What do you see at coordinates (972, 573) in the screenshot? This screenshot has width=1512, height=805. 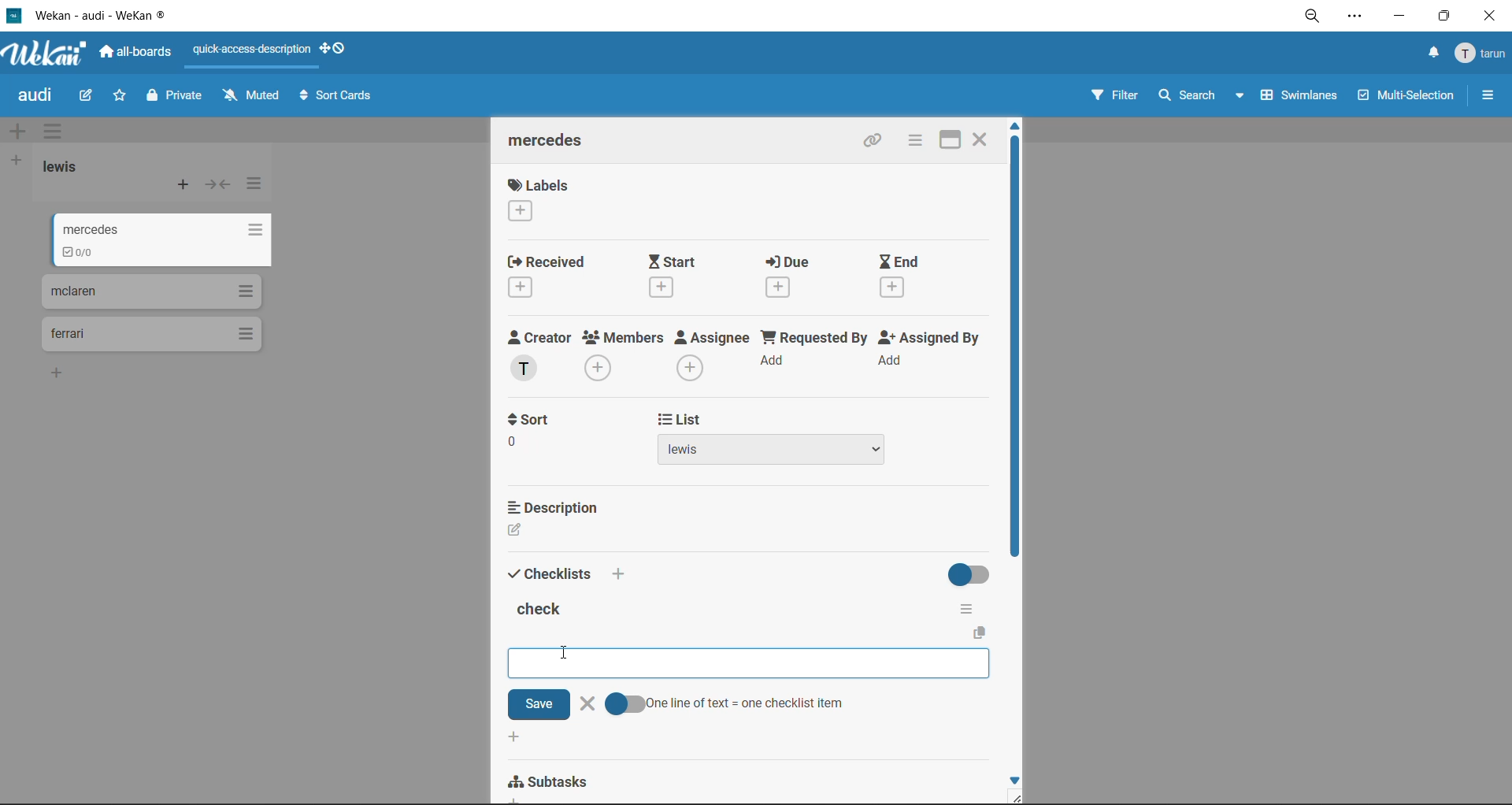 I see `hide completed checklist` at bounding box center [972, 573].